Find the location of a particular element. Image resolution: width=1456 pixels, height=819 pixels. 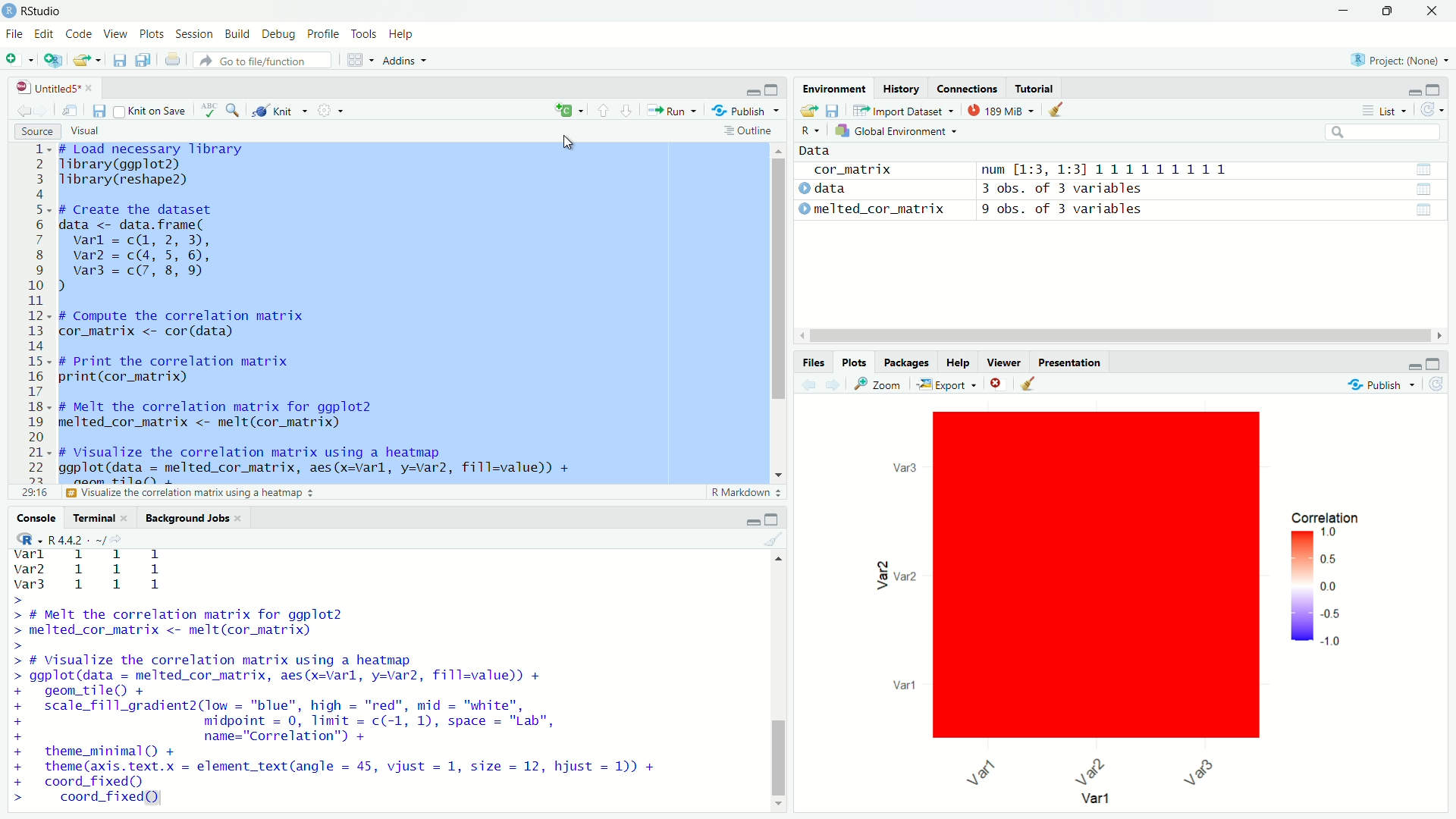

view is located at coordinates (116, 35).